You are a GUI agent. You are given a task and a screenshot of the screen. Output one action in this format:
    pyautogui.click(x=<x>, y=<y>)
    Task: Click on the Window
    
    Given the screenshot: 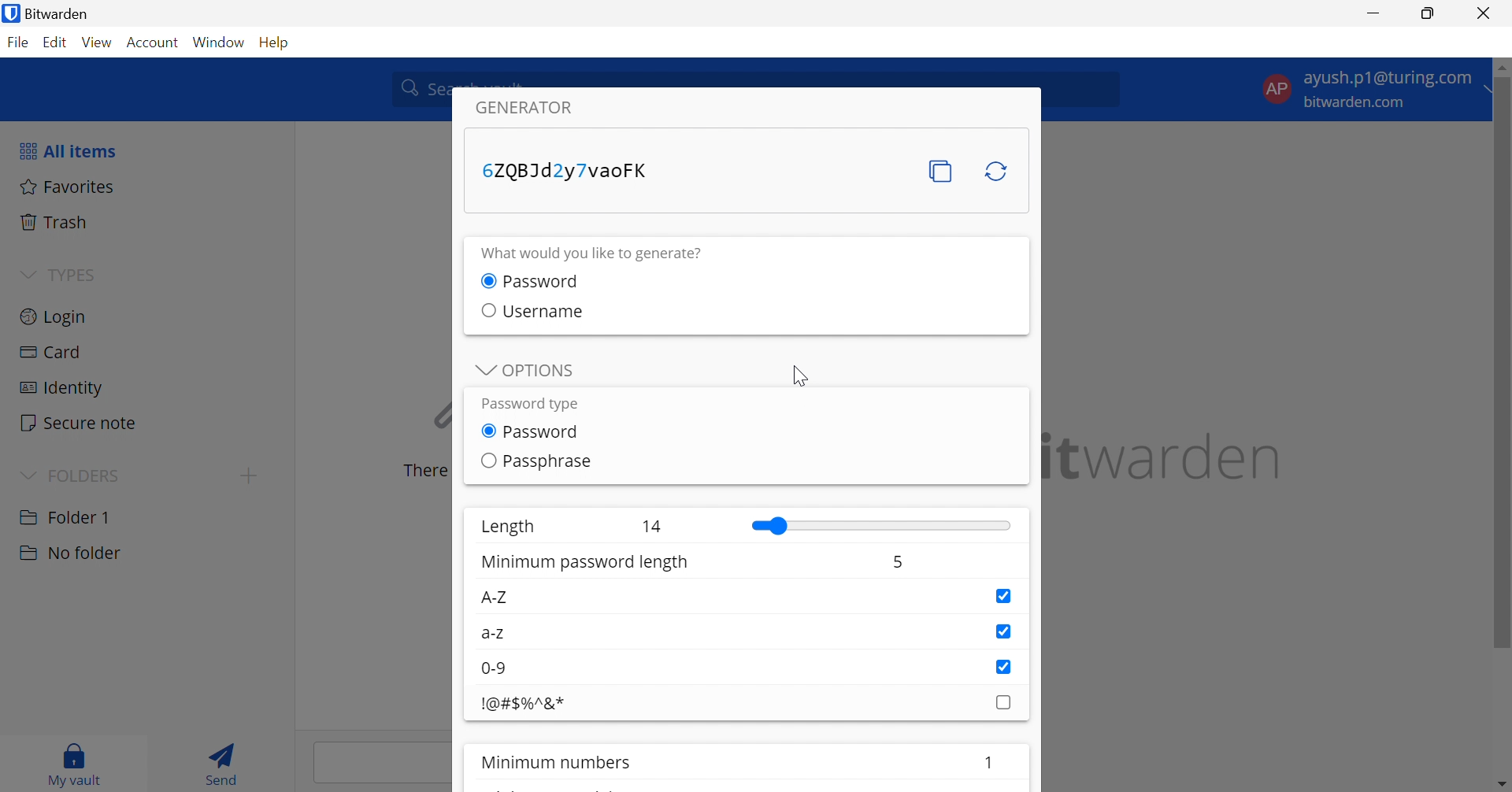 What is the action you would take?
    pyautogui.click(x=219, y=43)
    